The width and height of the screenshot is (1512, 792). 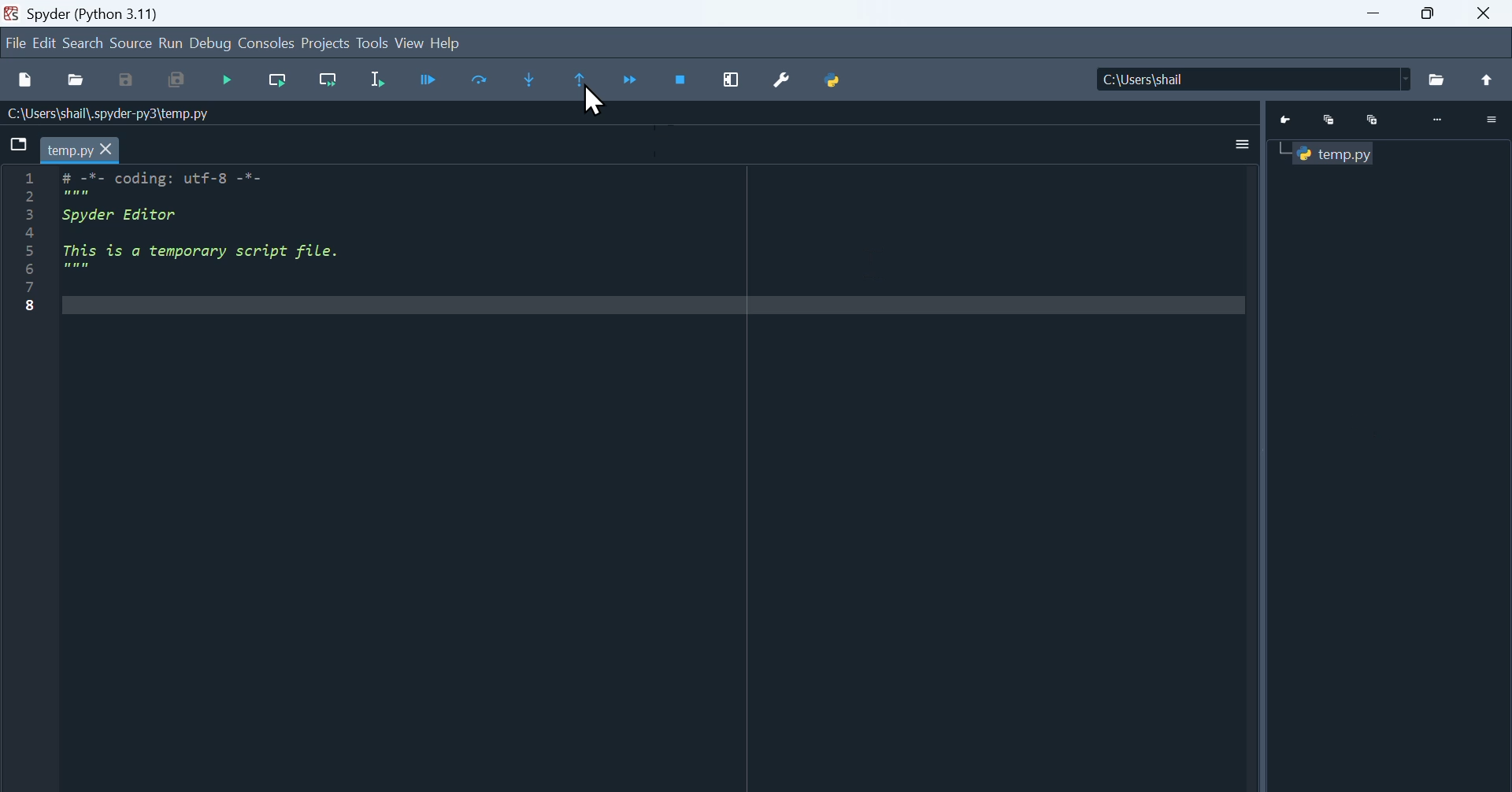 What do you see at coordinates (171, 42) in the screenshot?
I see `Run` at bounding box center [171, 42].